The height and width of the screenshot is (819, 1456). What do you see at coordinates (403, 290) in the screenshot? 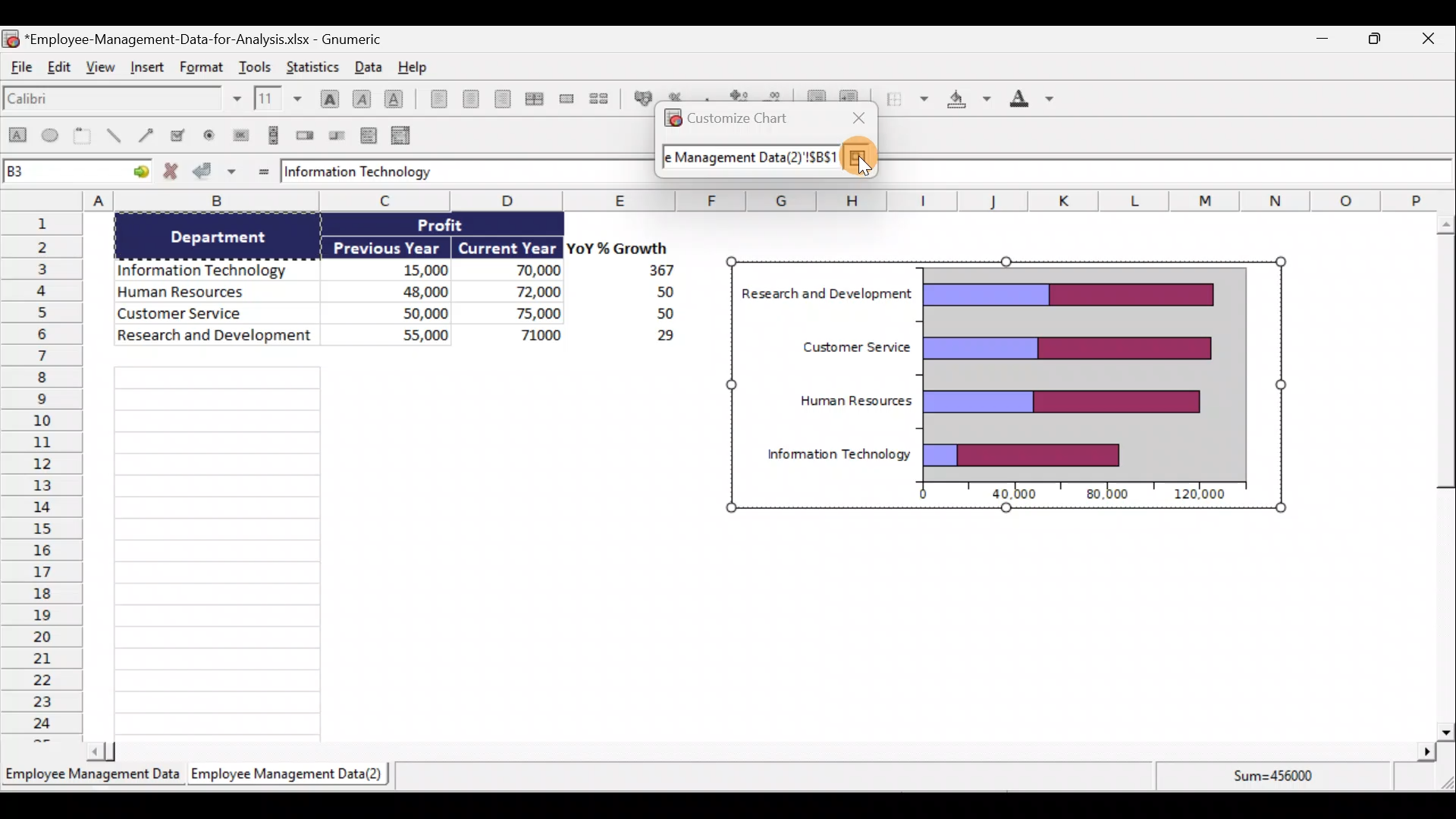
I see `48,000` at bounding box center [403, 290].